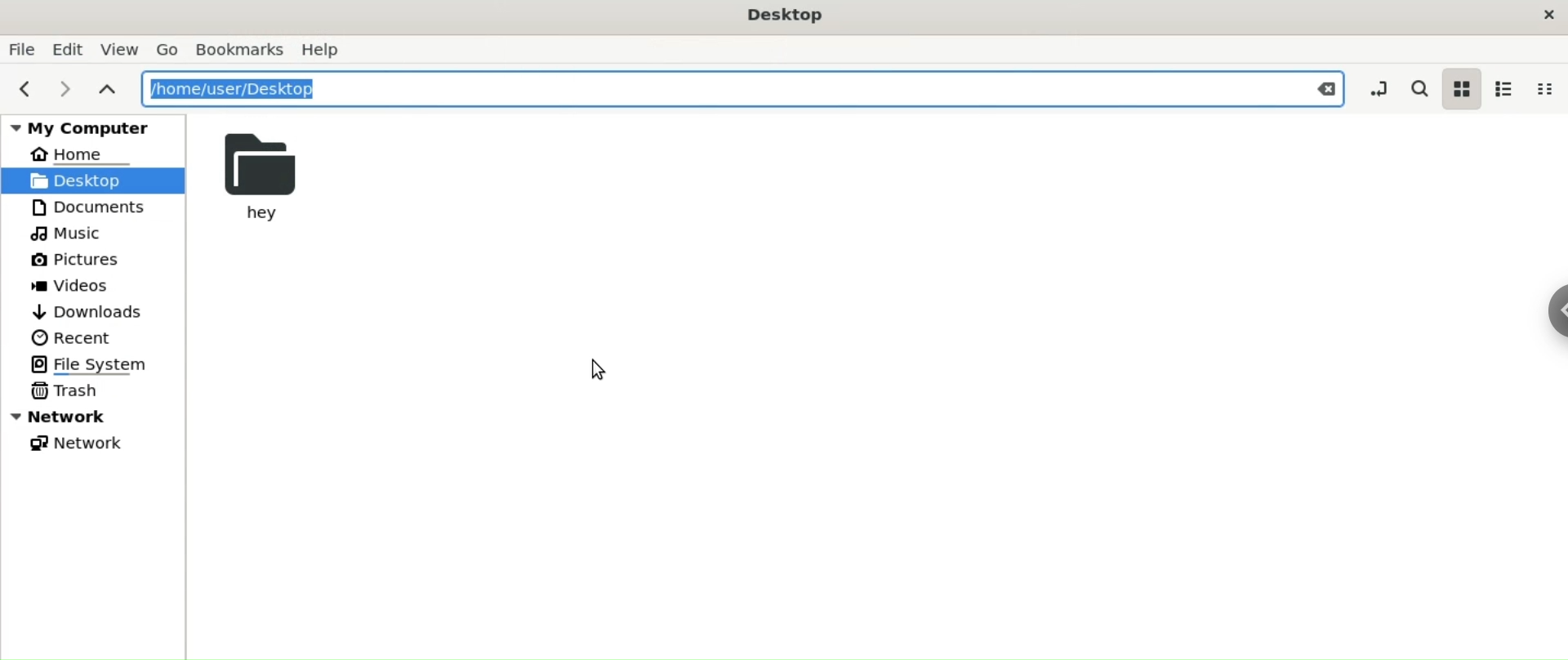 The height and width of the screenshot is (660, 1568). Describe the element at coordinates (1506, 87) in the screenshot. I see `list view` at that location.